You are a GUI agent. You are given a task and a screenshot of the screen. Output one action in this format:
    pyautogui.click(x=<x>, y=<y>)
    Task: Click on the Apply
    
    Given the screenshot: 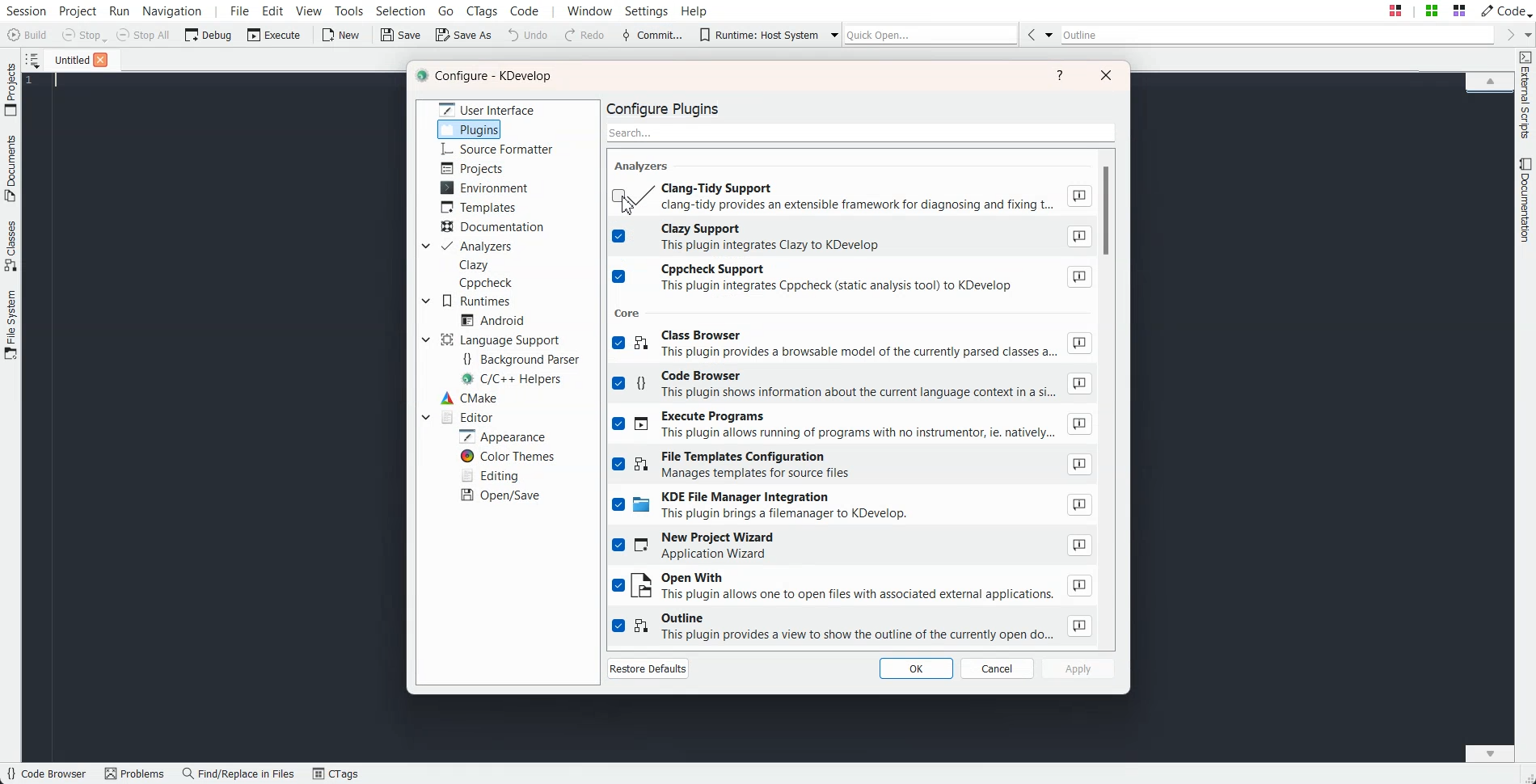 What is the action you would take?
    pyautogui.click(x=1079, y=668)
    